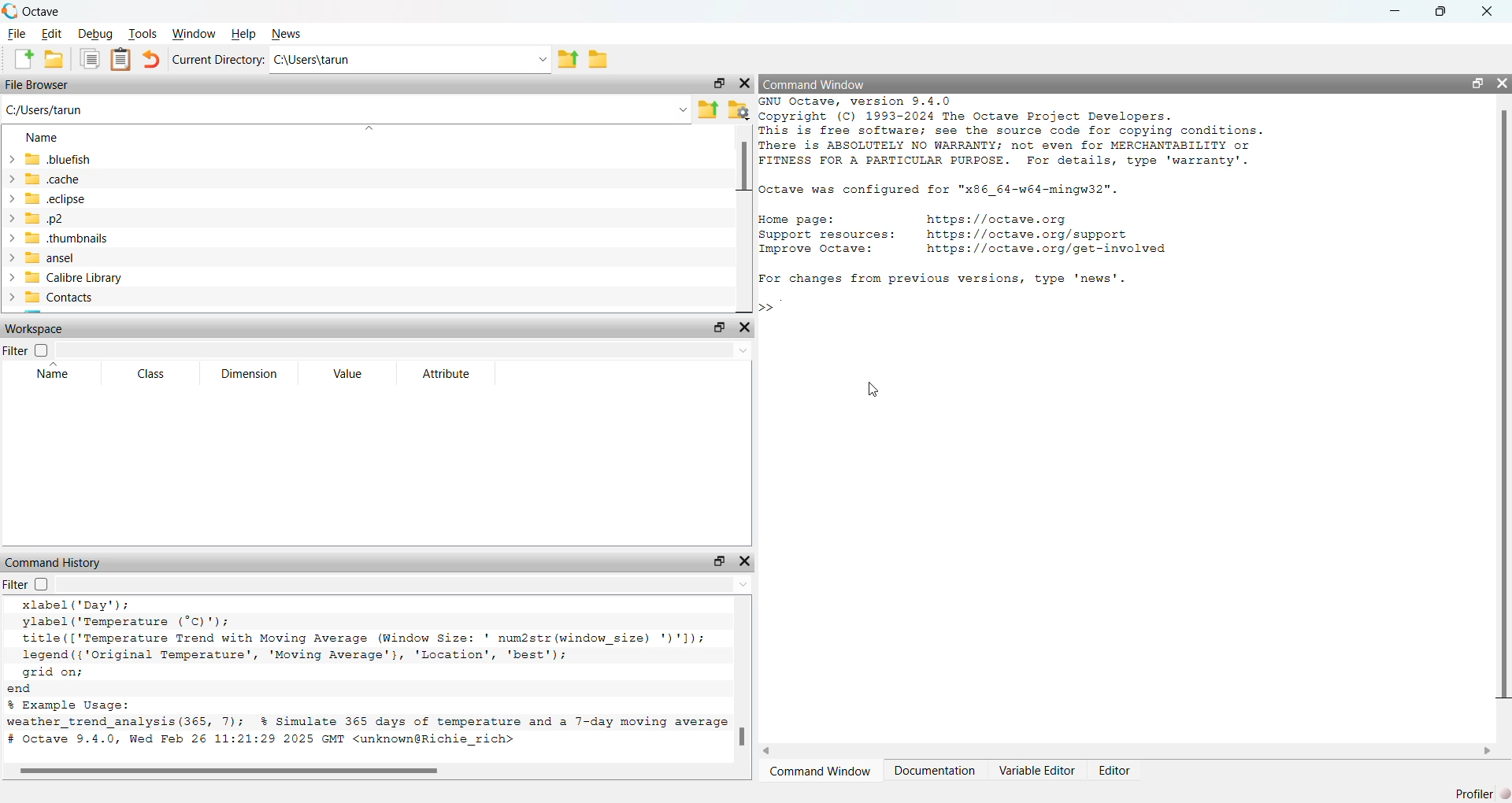  Describe the element at coordinates (28, 585) in the screenshot. I see `Filter` at that location.